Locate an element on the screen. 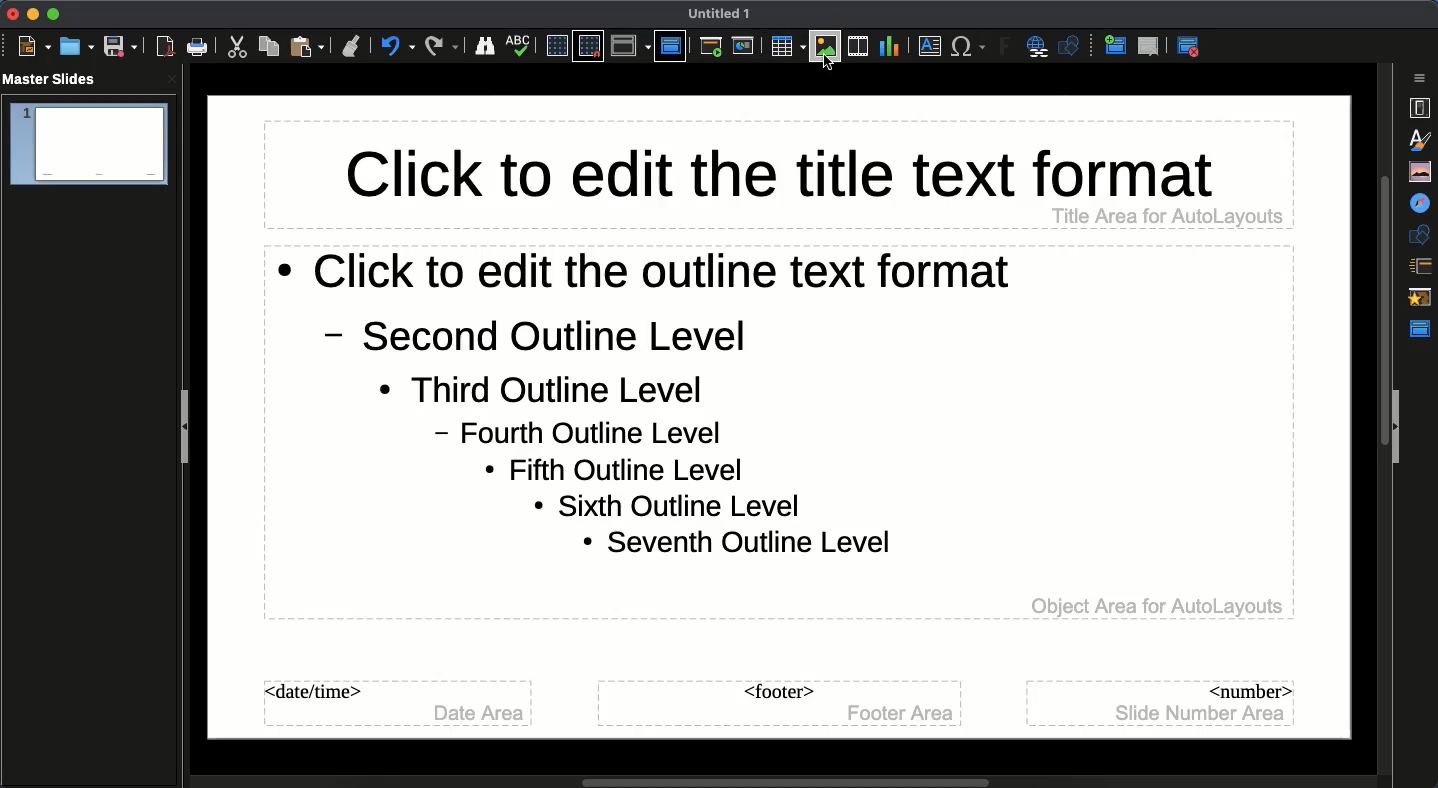  Copy is located at coordinates (269, 46).